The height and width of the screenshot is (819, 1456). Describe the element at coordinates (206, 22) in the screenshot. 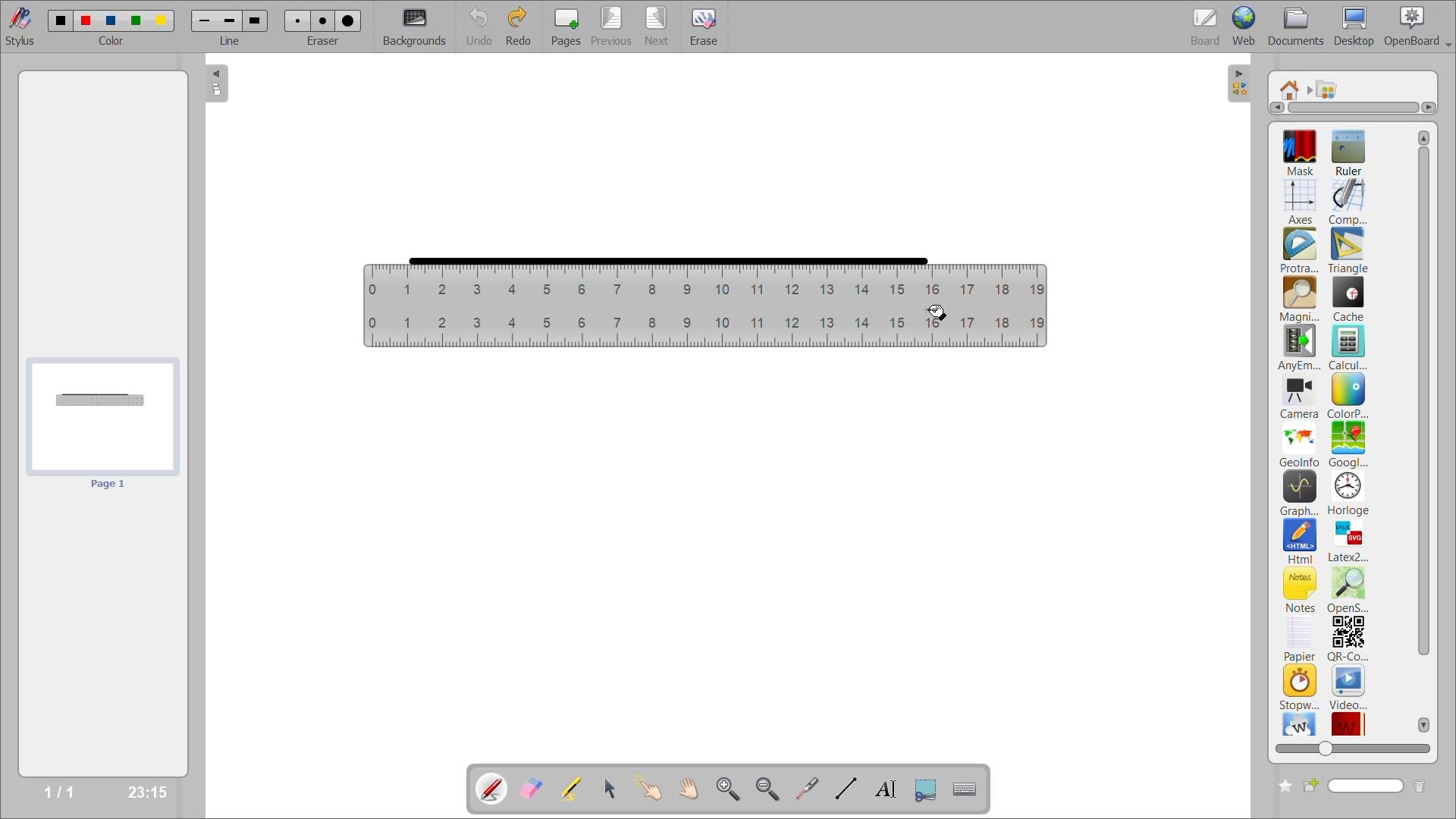

I see `line 1` at that location.